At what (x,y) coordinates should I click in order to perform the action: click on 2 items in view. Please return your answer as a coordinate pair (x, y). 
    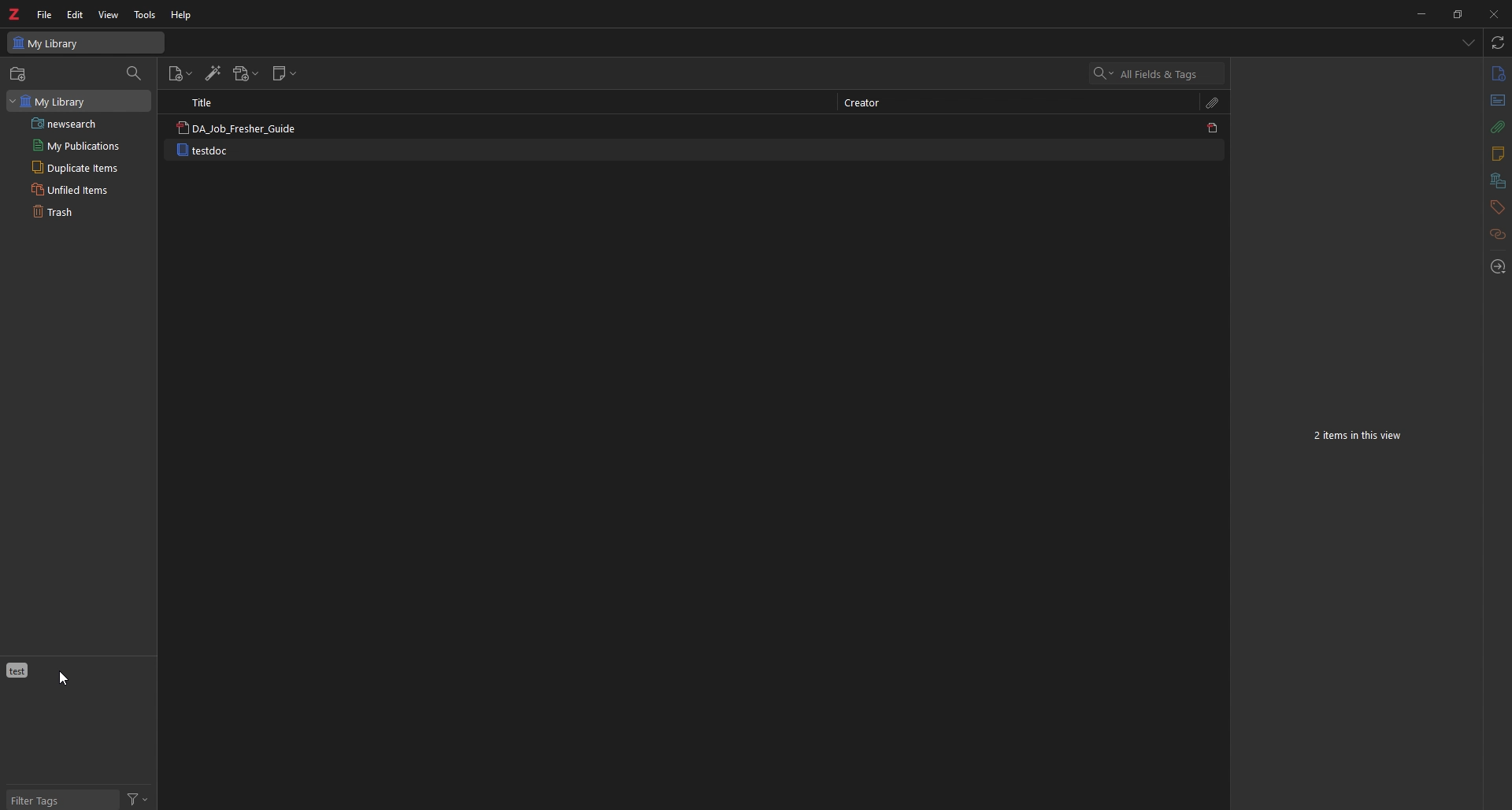
    Looking at the image, I should click on (1358, 436).